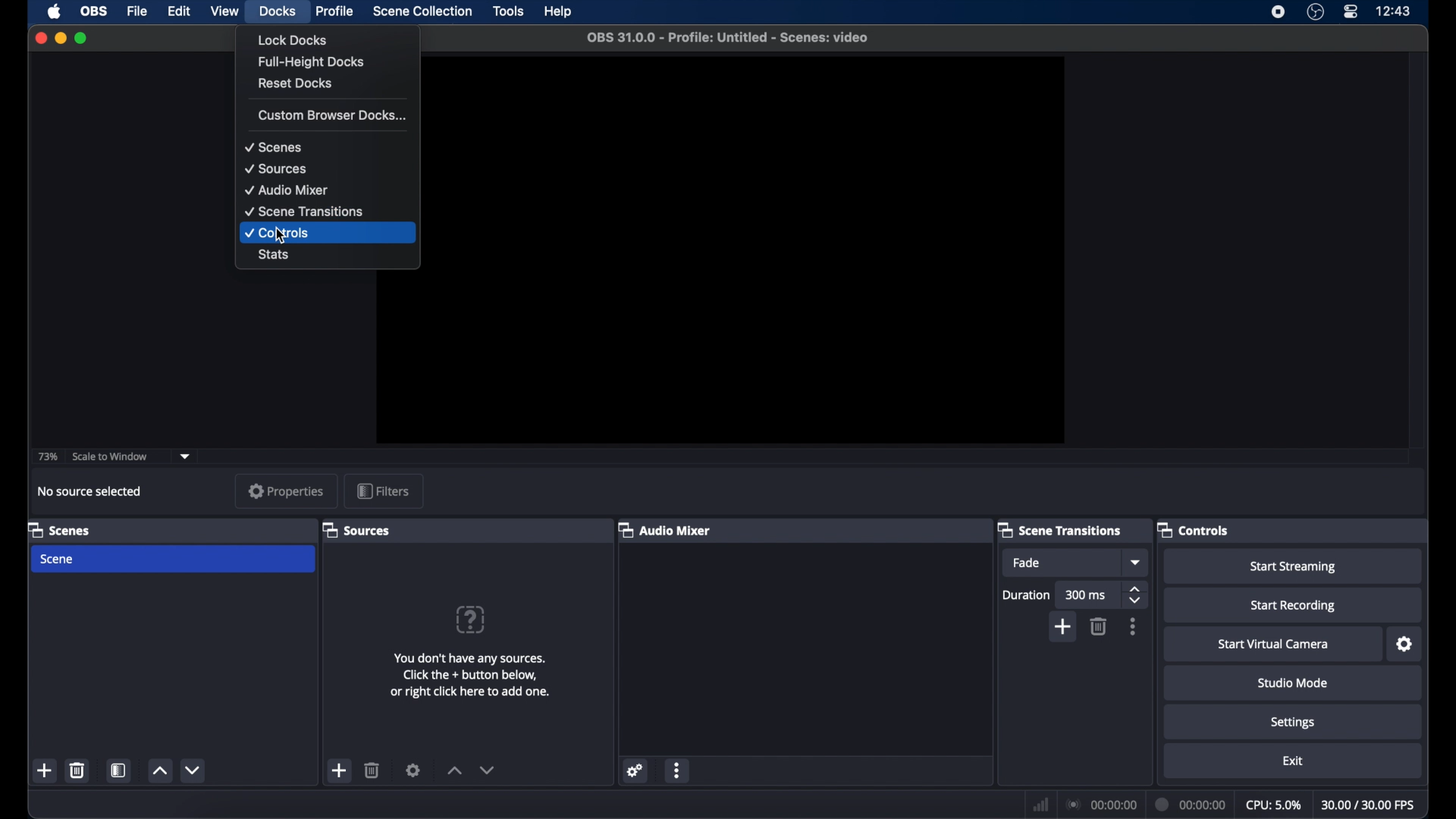 This screenshot has width=1456, height=819. Describe the element at coordinates (294, 40) in the screenshot. I see `lock docks` at that location.